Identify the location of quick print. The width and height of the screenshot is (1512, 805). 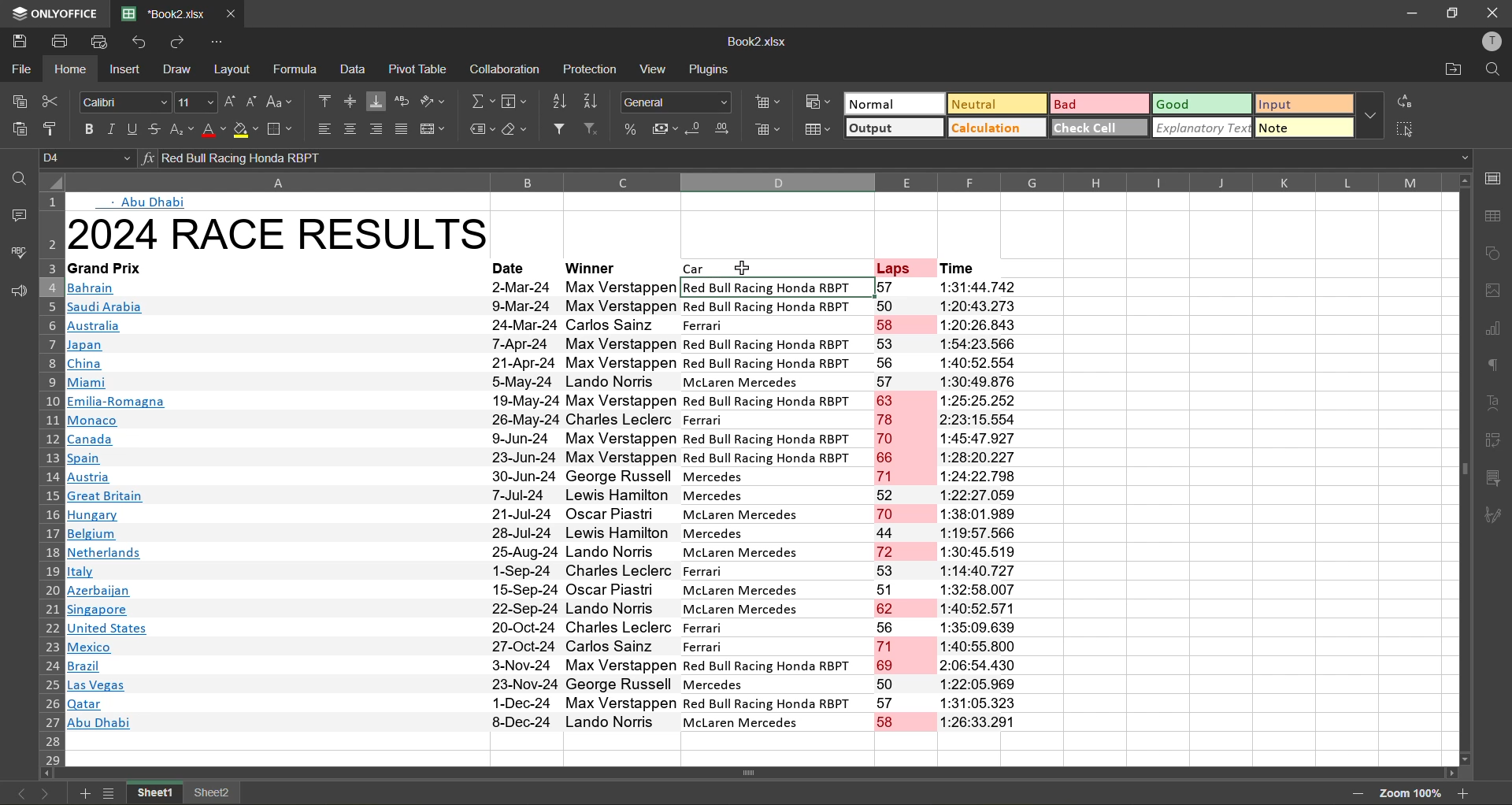
(99, 39).